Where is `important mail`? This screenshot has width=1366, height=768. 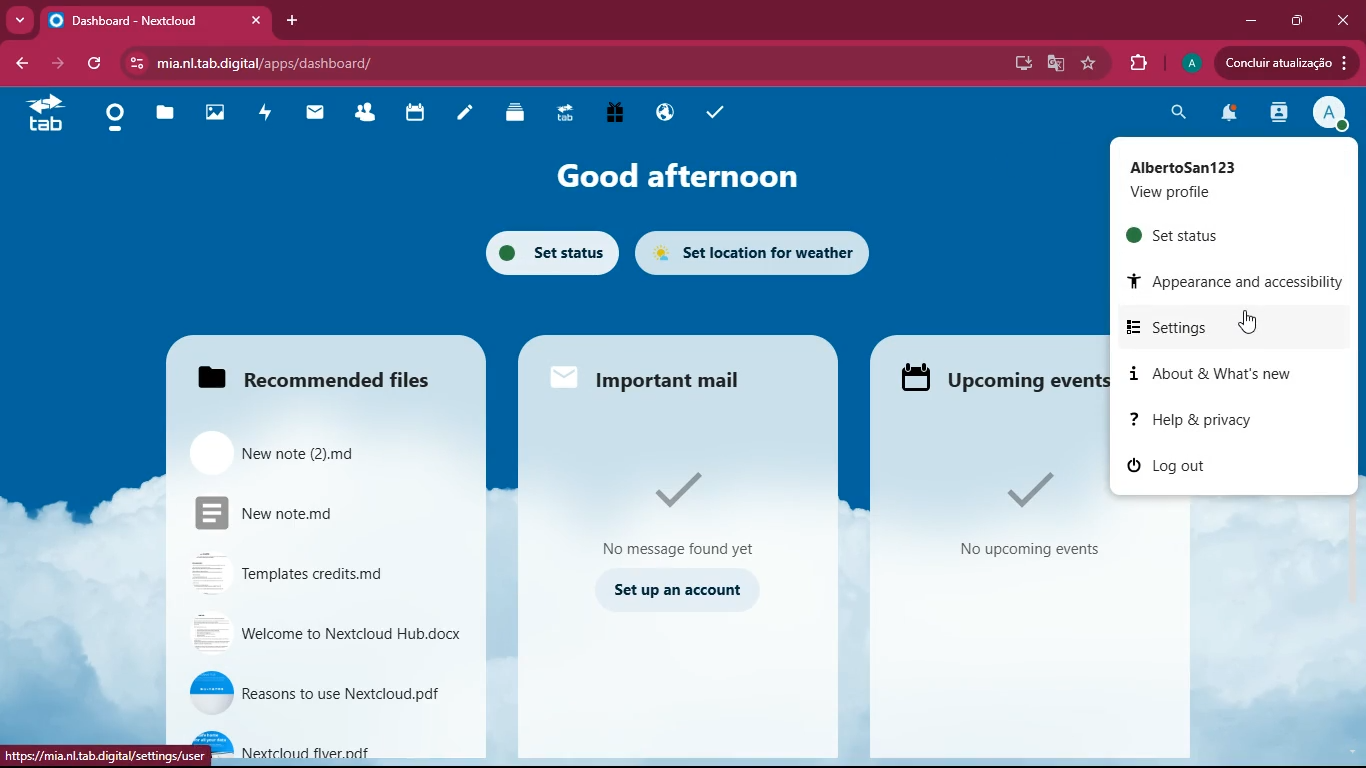
important mail is located at coordinates (674, 376).